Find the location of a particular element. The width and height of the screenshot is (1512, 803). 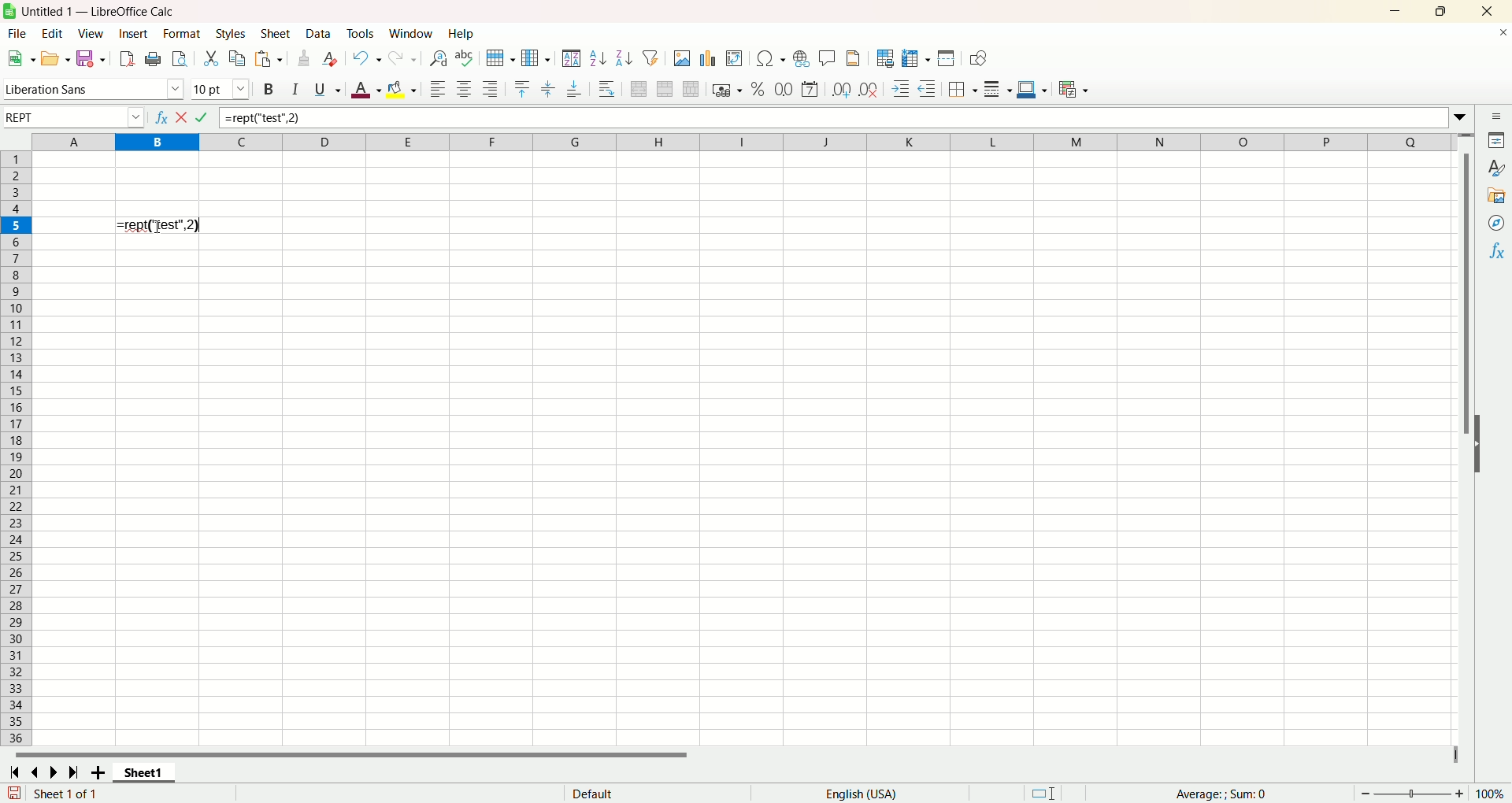

export directly as PDF is located at coordinates (128, 57).